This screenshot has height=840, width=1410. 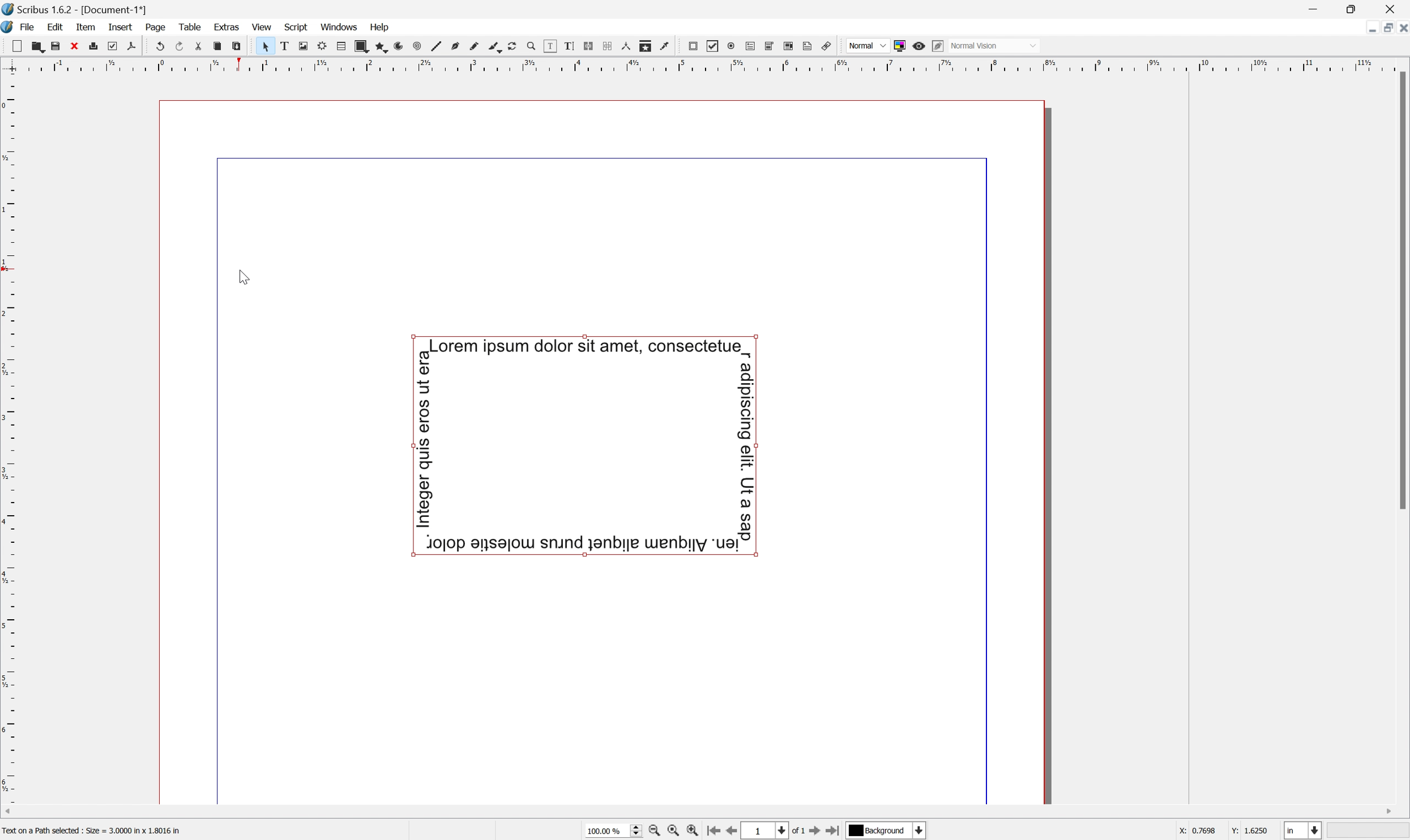 I want to click on Bezier curve, so click(x=452, y=48).